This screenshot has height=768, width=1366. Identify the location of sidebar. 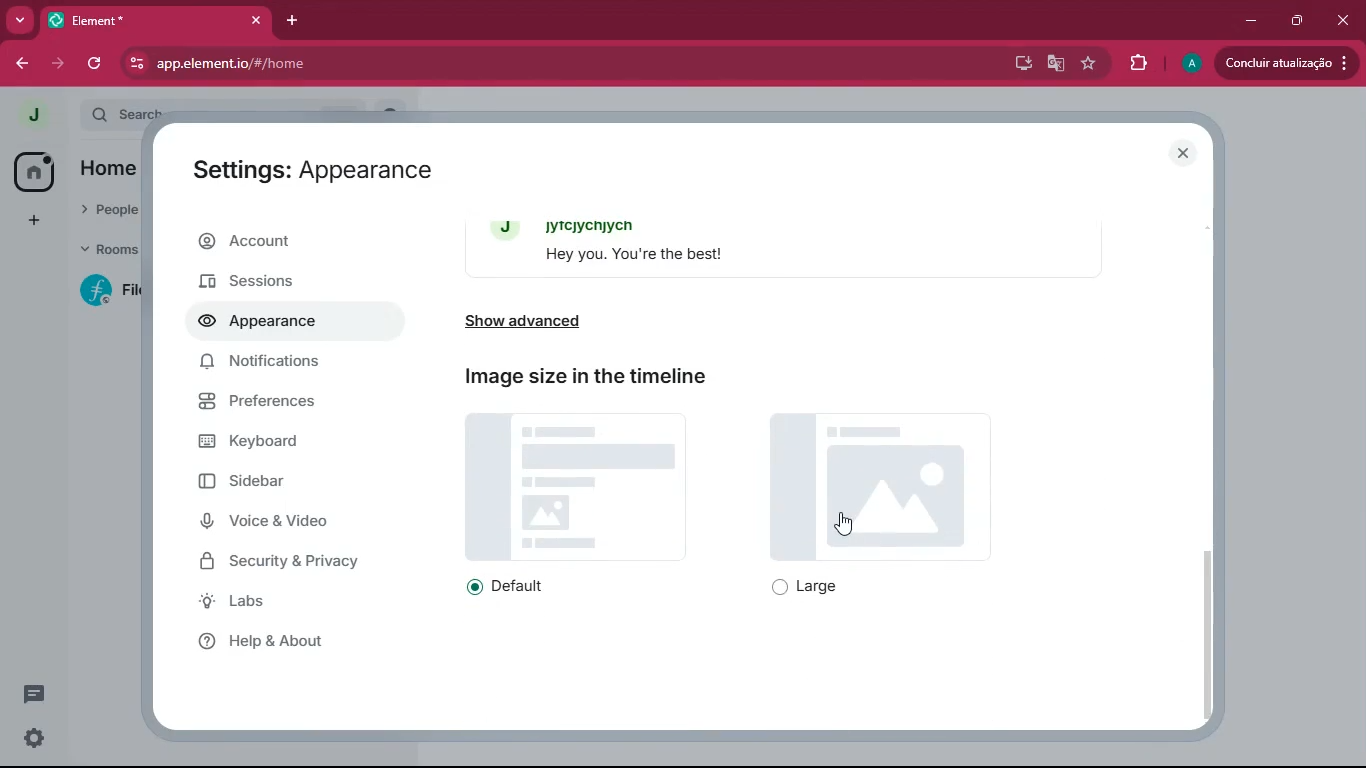
(286, 486).